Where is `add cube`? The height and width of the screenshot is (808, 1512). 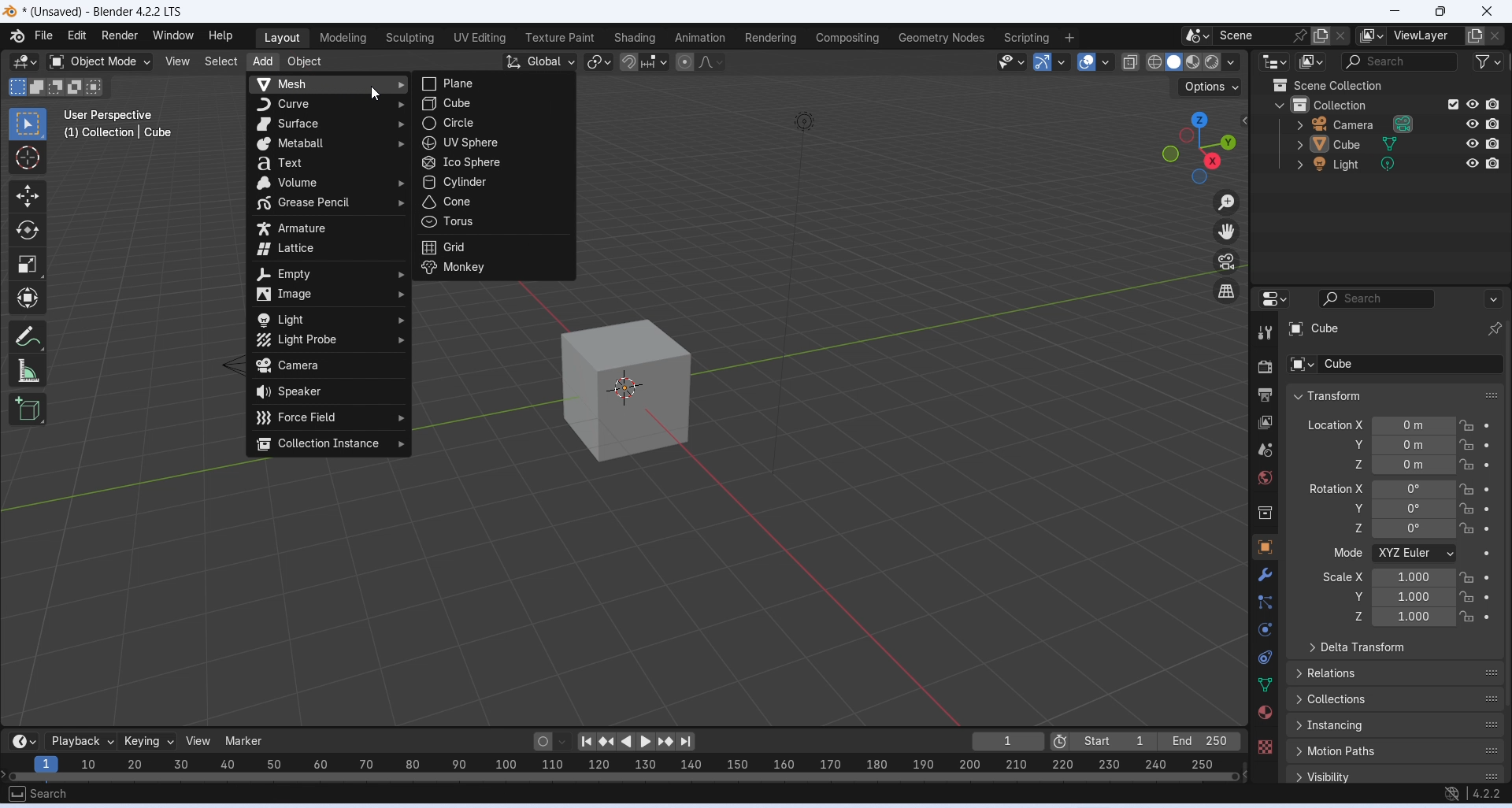
add cube is located at coordinates (28, 409).